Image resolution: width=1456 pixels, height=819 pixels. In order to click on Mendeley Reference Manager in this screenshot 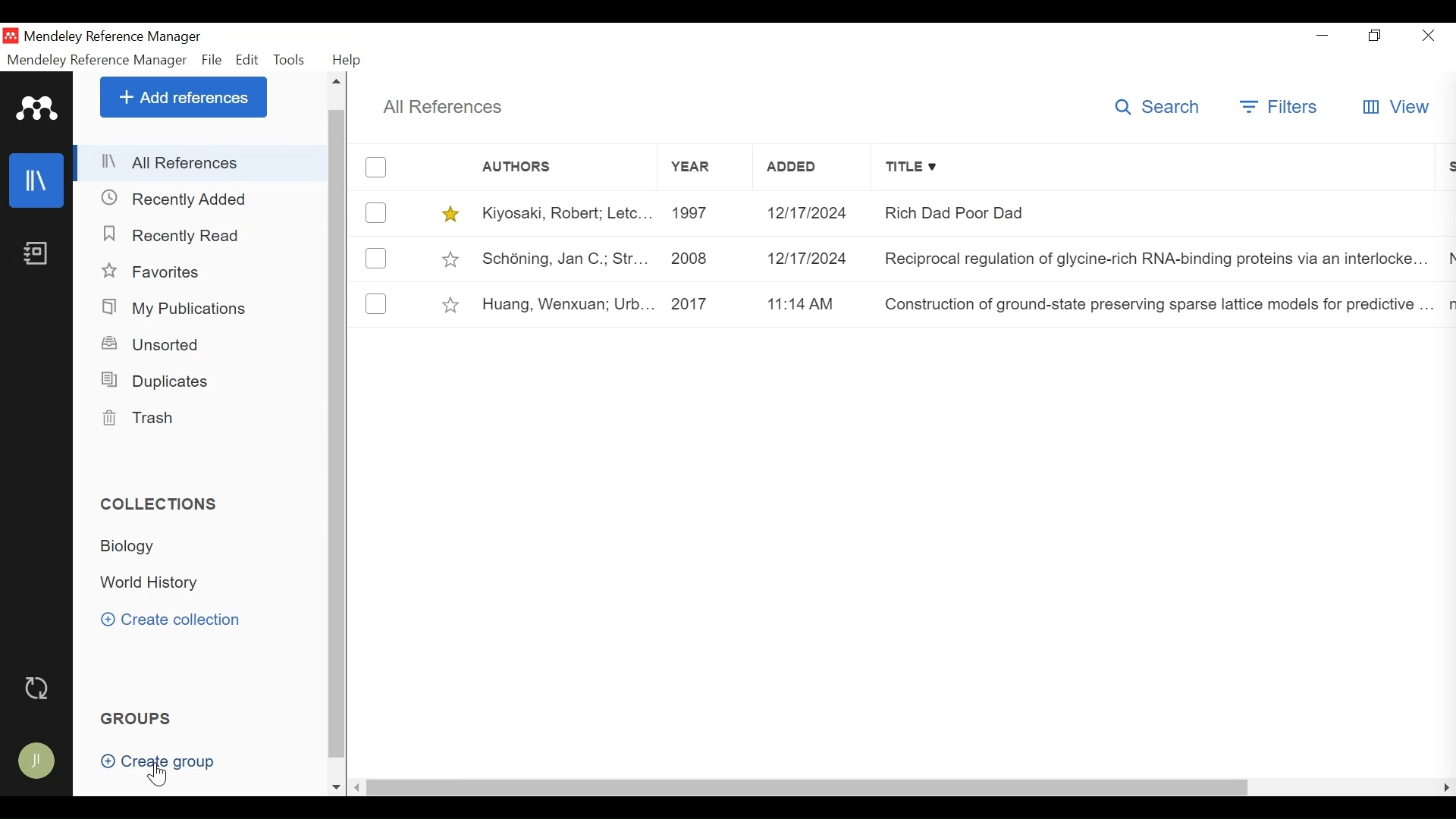, I will do `click(112, 36)`.